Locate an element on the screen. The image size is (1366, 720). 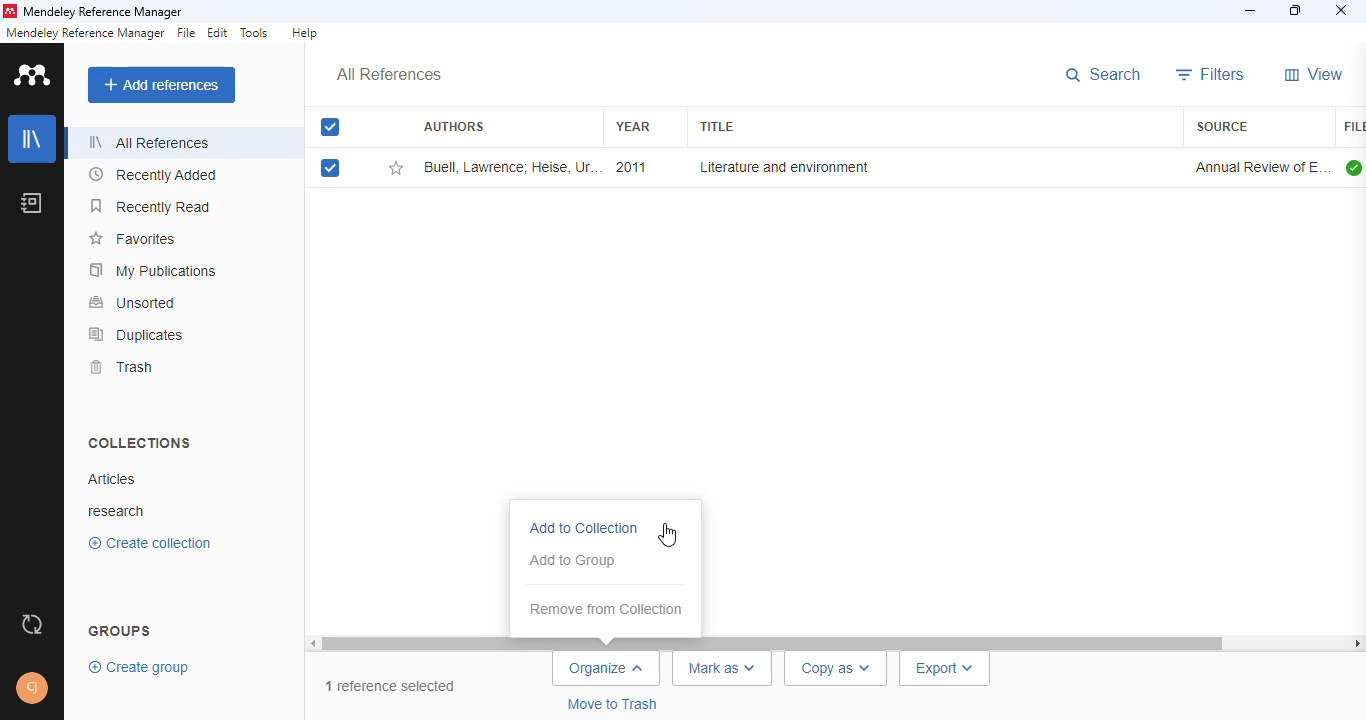
recently added is located at coordinates (153, 174).